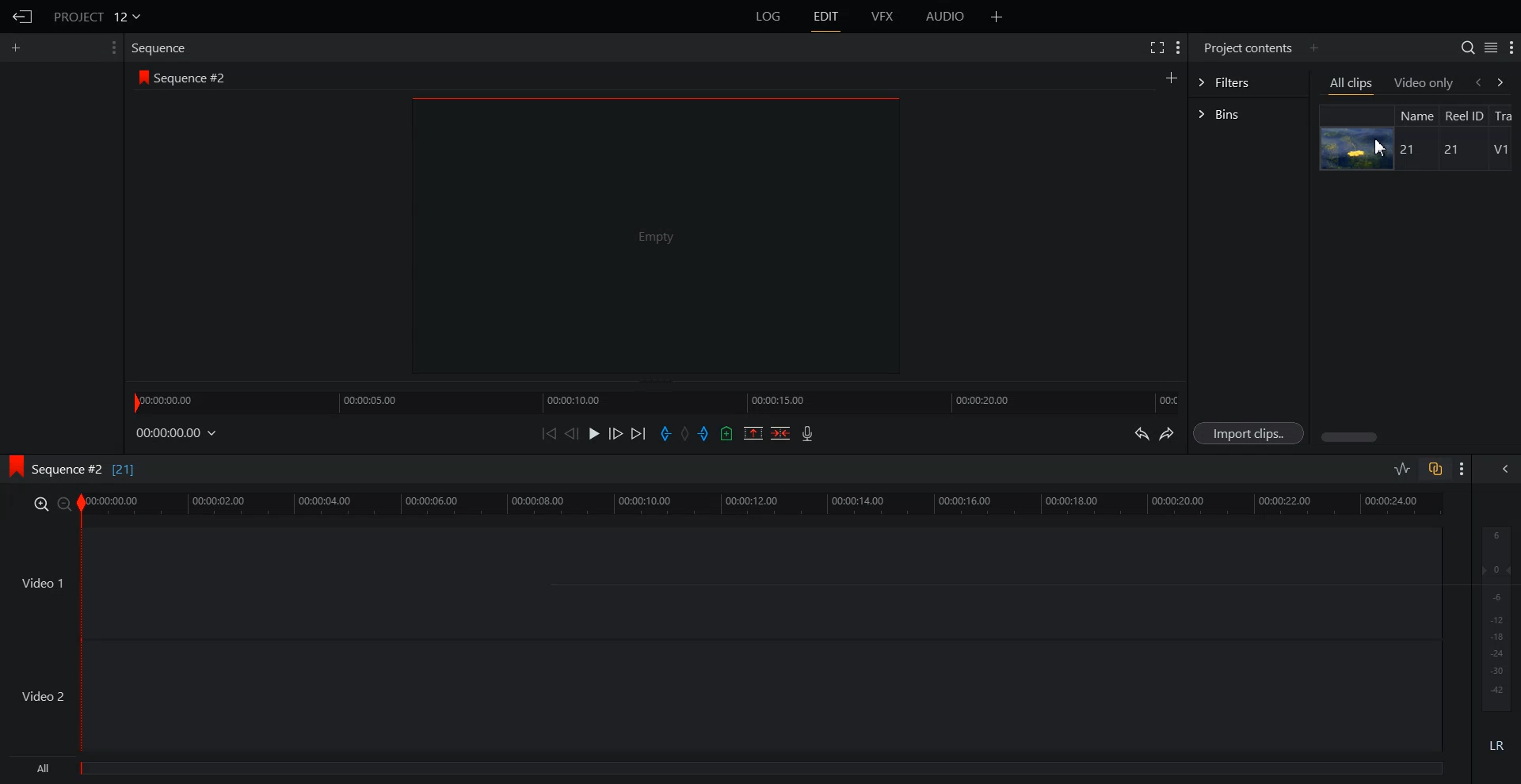  Describe the element at coordinates (1511, 48) in the screenshot. I see `Show Setting Menu` at that location.